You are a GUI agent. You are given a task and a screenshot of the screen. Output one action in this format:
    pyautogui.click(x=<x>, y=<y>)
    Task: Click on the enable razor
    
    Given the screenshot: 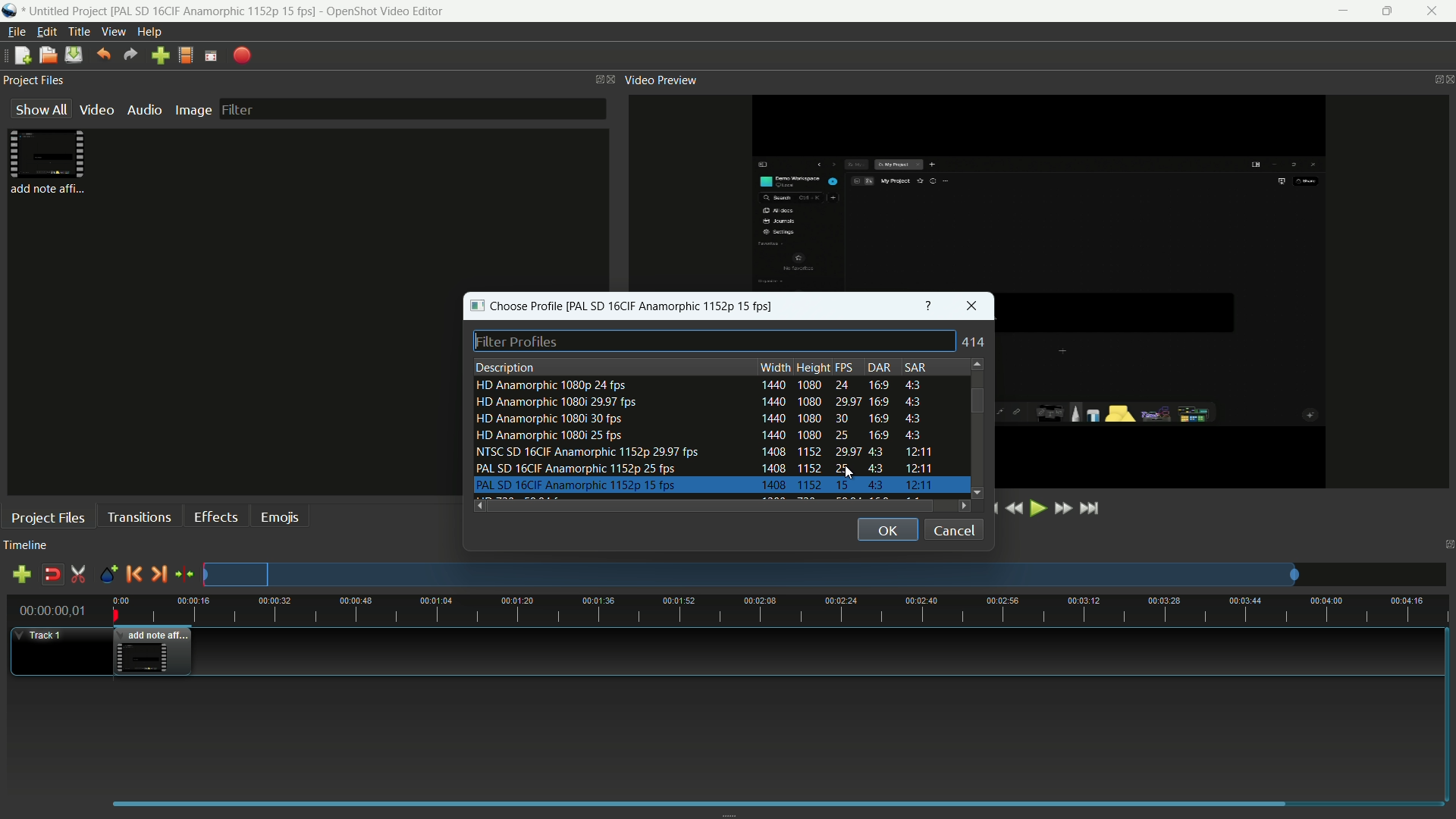 What is the action you would take?
    pyautogui.click(x=79, y=575)
    